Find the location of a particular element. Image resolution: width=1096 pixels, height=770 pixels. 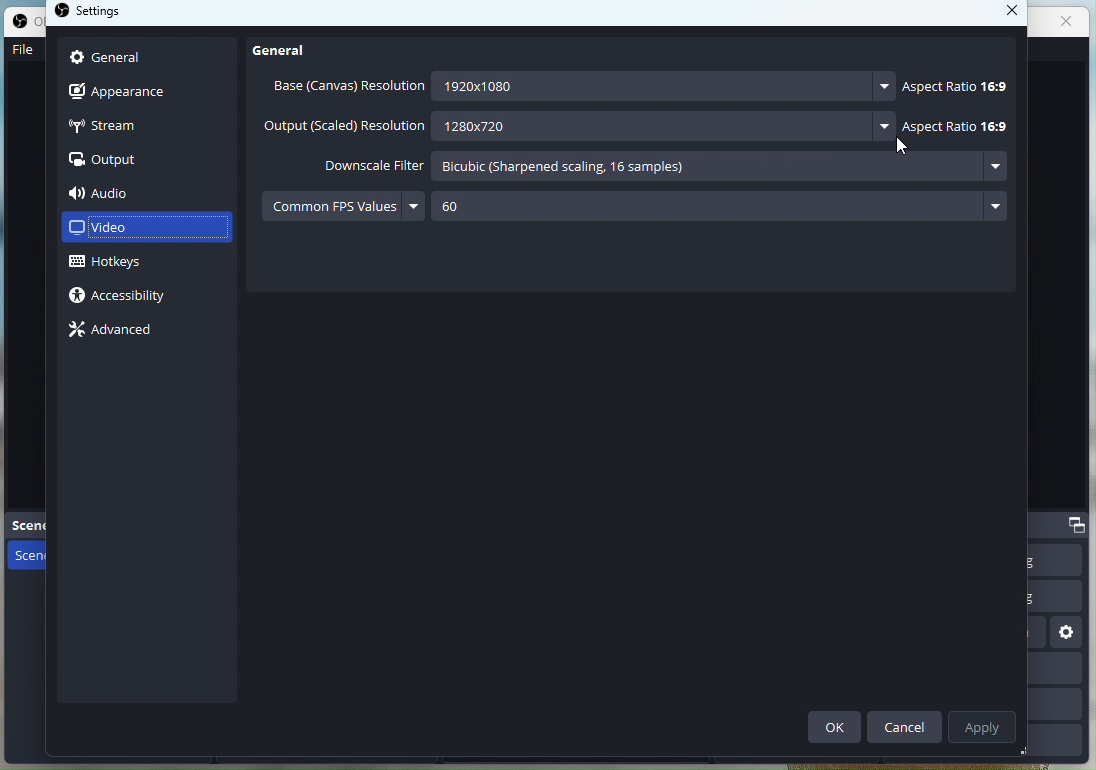

Ok is located at coordinates (834, 728).